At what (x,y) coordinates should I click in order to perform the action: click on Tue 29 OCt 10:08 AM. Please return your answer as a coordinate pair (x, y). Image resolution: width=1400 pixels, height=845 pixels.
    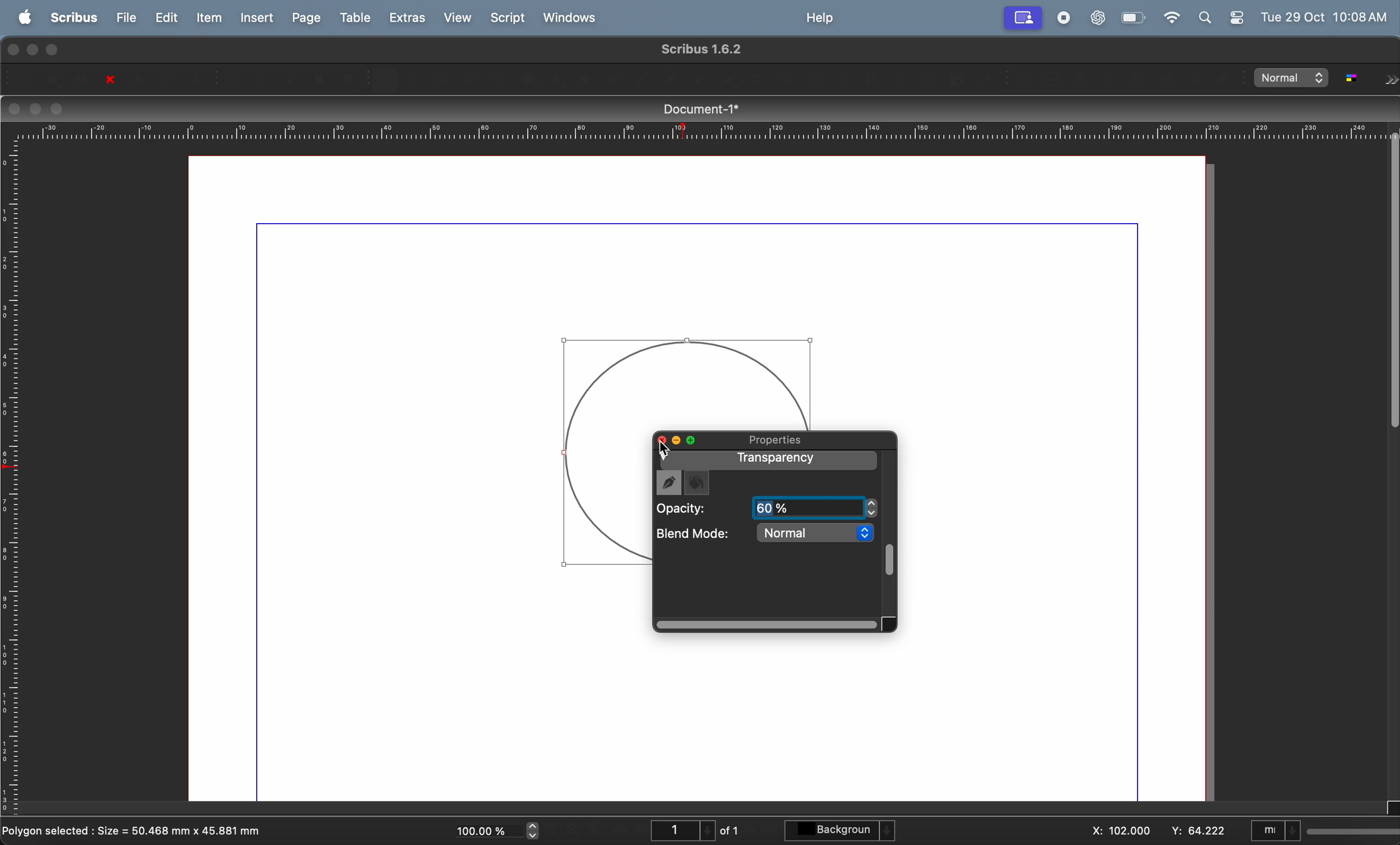
    Looking at the image, I should click on (1327, 16).